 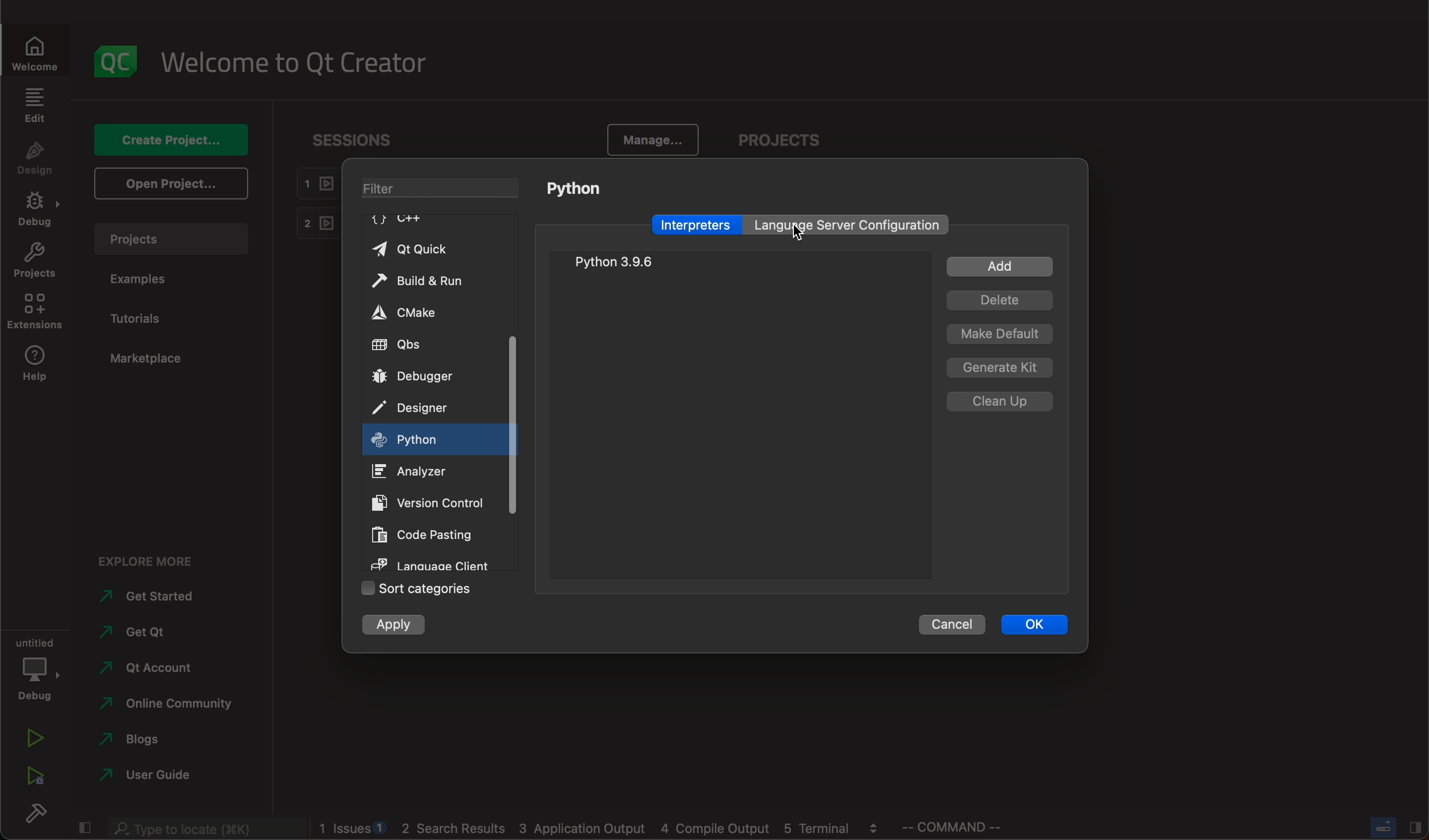 What do you see at coordinates (145, 630) in the screenshot?
I see `qt` at bounding box center [145, 630].